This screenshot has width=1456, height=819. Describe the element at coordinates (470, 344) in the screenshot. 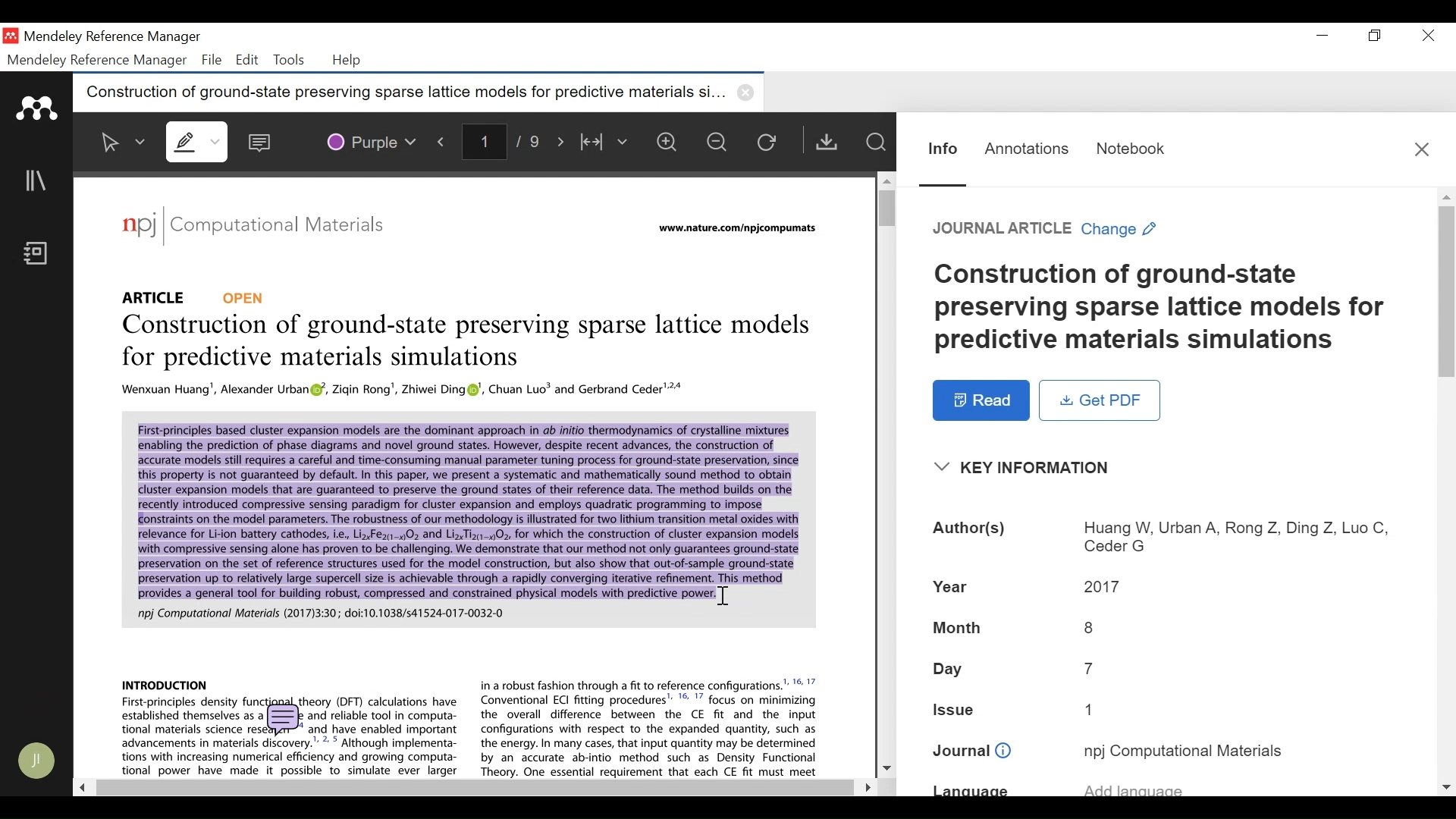

I see `Title` at that location.